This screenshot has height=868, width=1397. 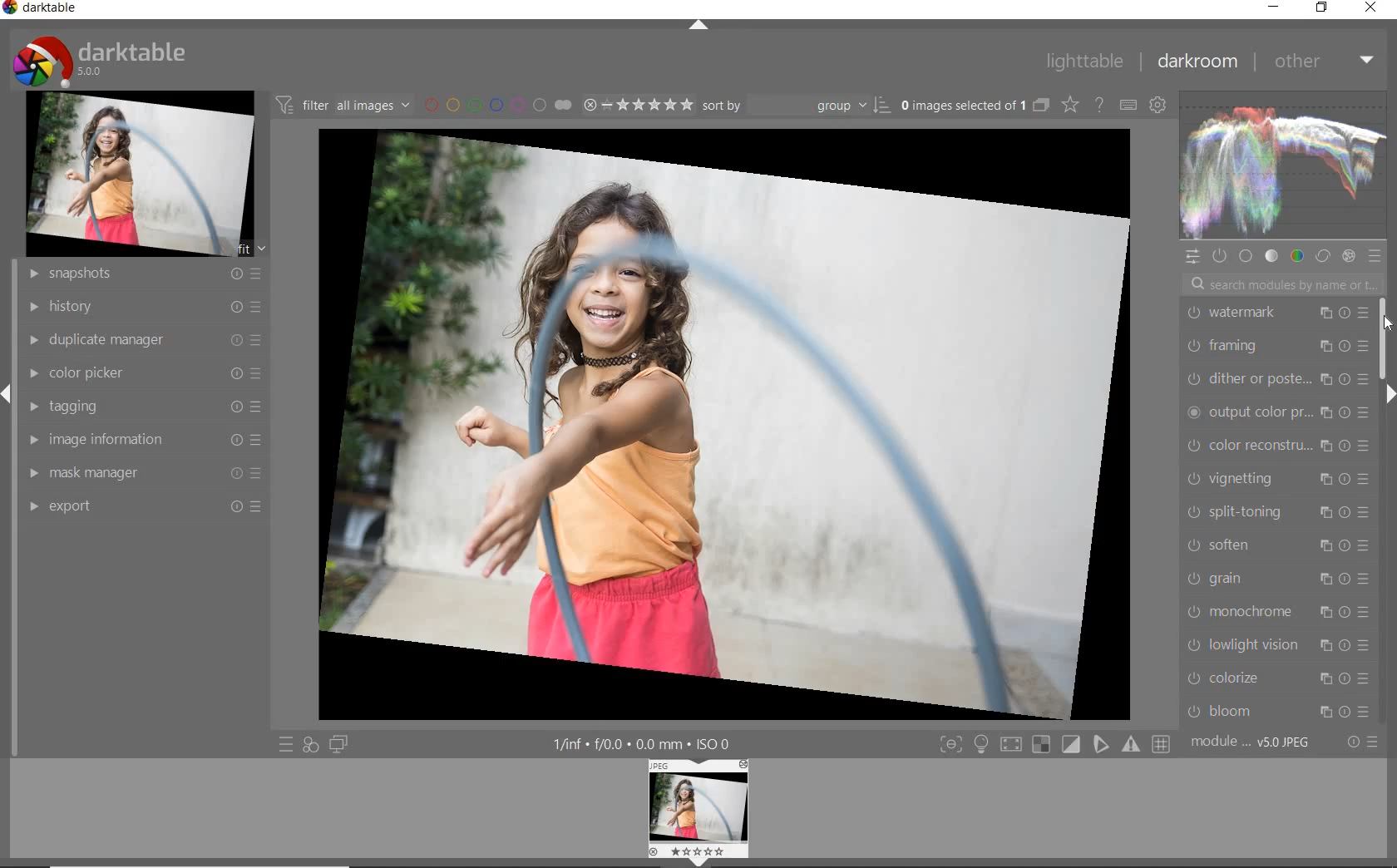 I want to click on bloom, so click(x=1275, y=711).